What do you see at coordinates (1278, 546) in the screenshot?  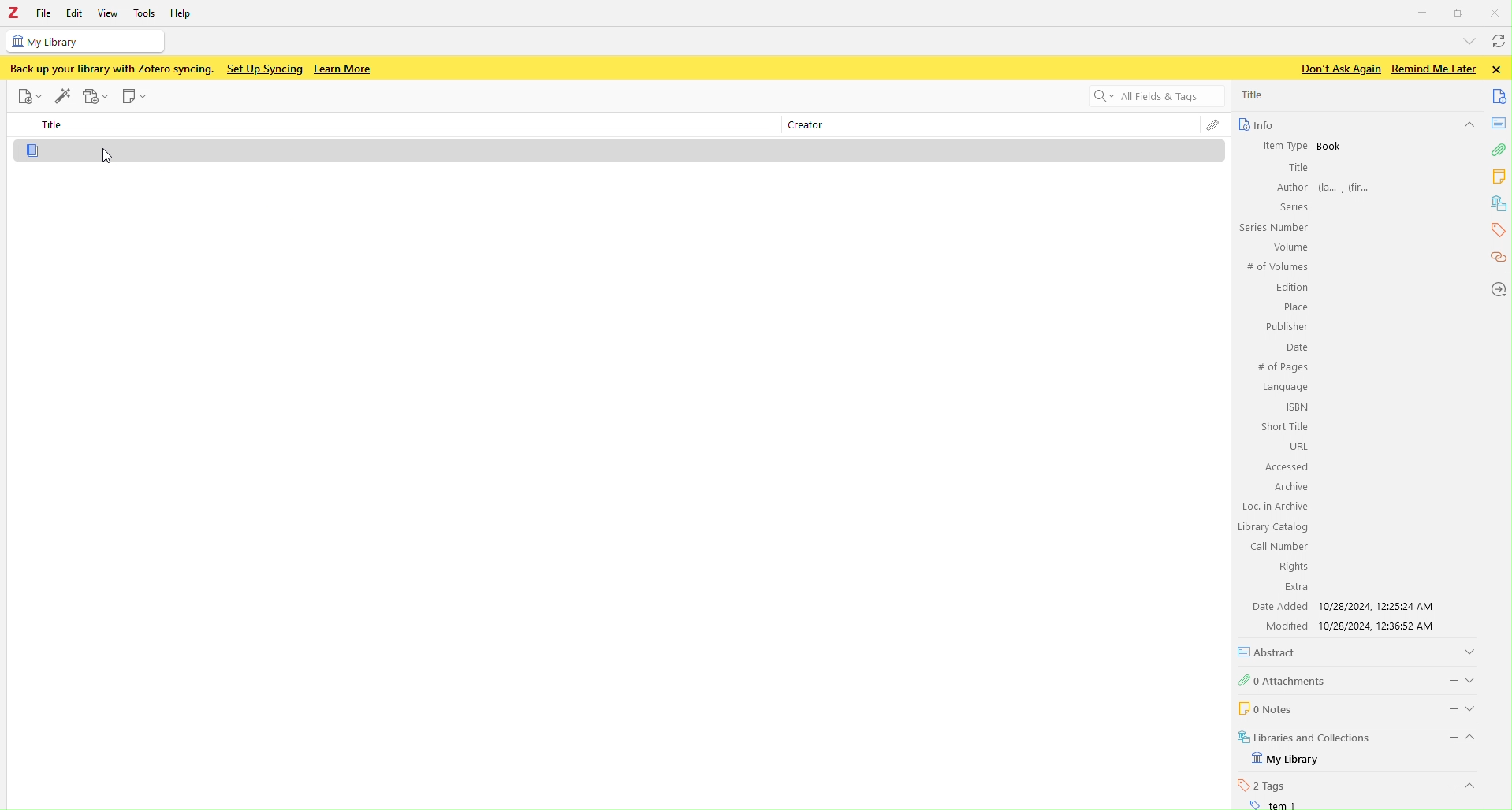 I see `Call Number` at bounding box center [1278, 546].